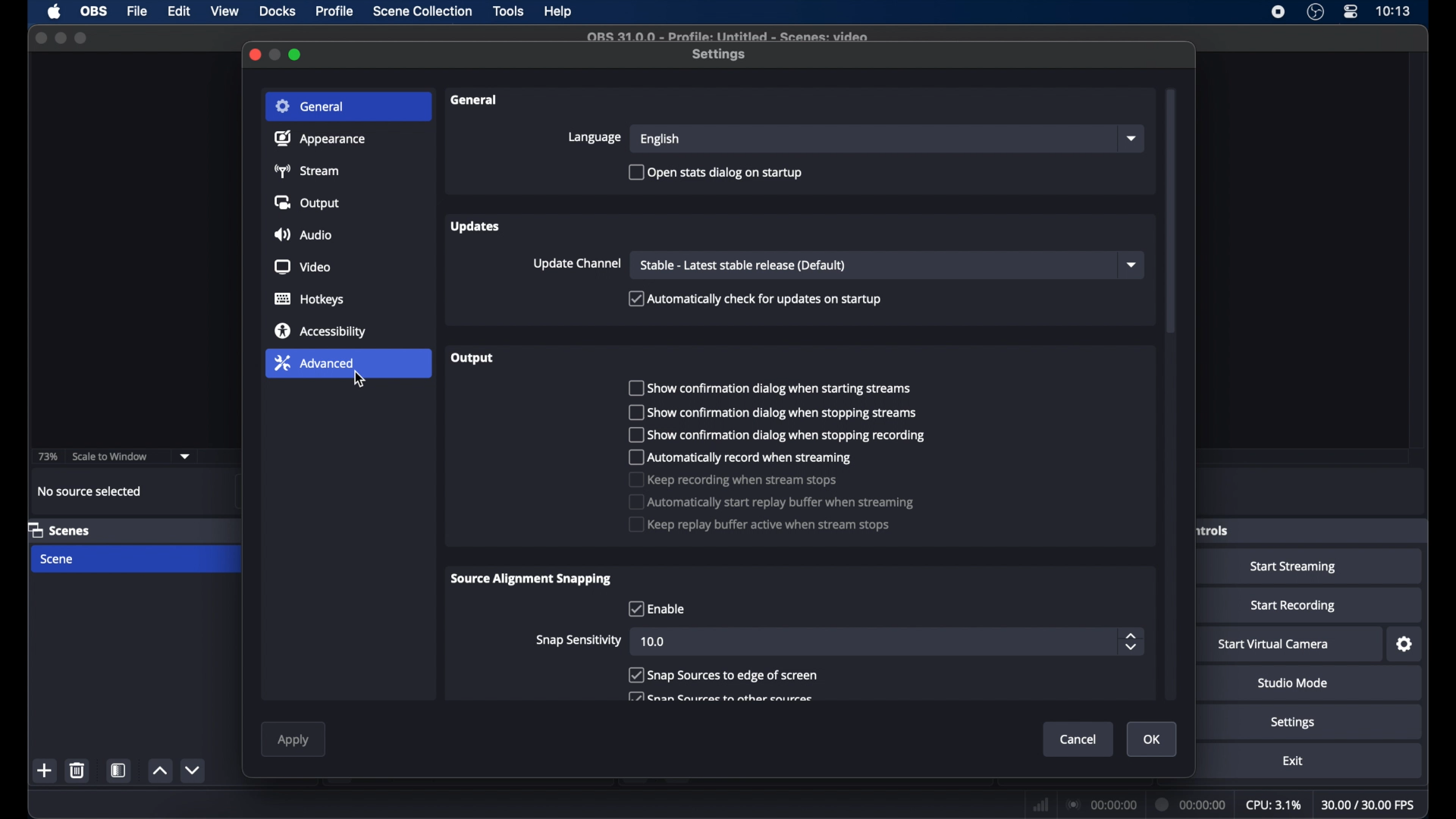  I want to click on scale to window, so click(111, 456).